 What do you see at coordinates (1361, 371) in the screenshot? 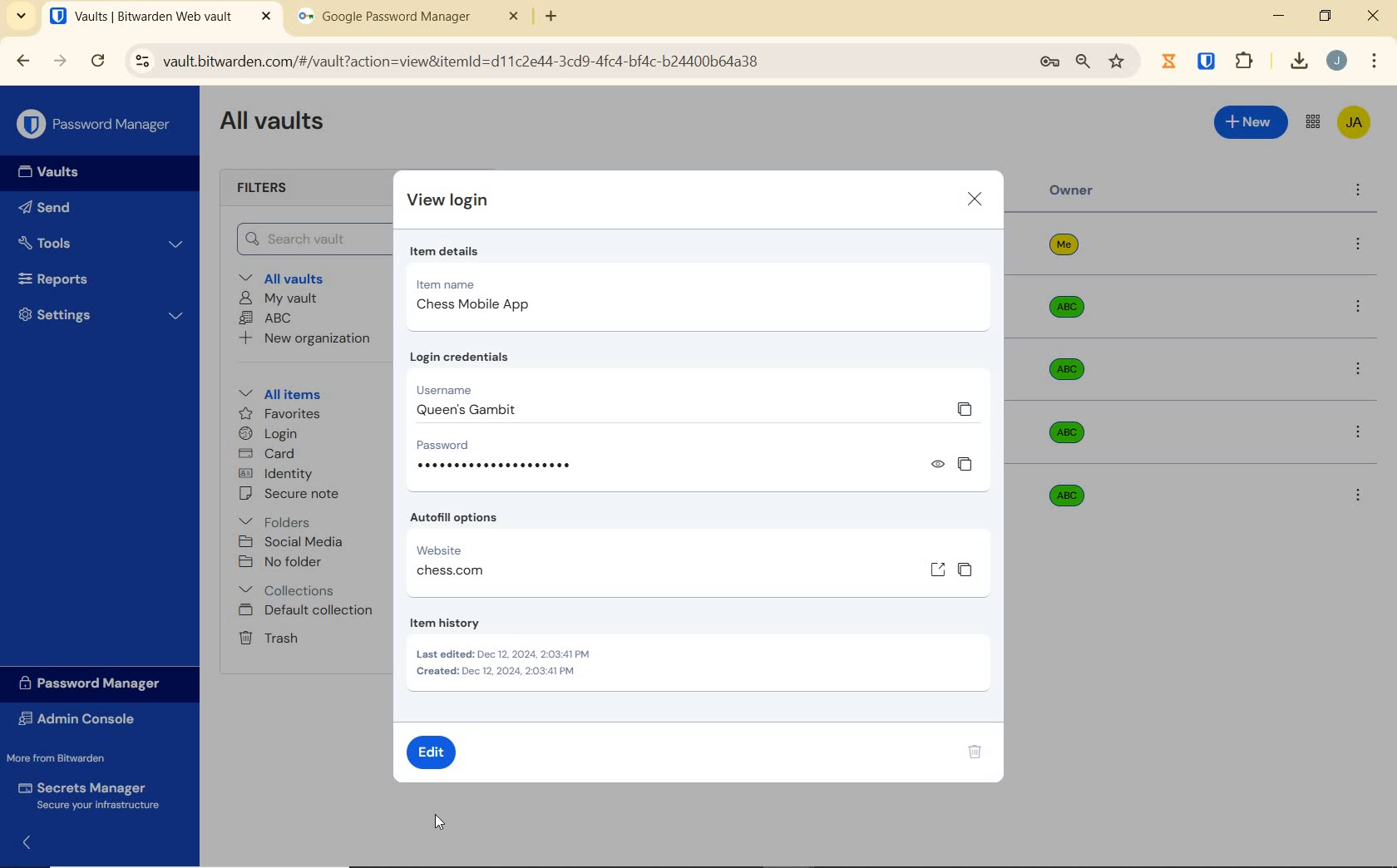
I see `option` at bounding box center [1361, 371].